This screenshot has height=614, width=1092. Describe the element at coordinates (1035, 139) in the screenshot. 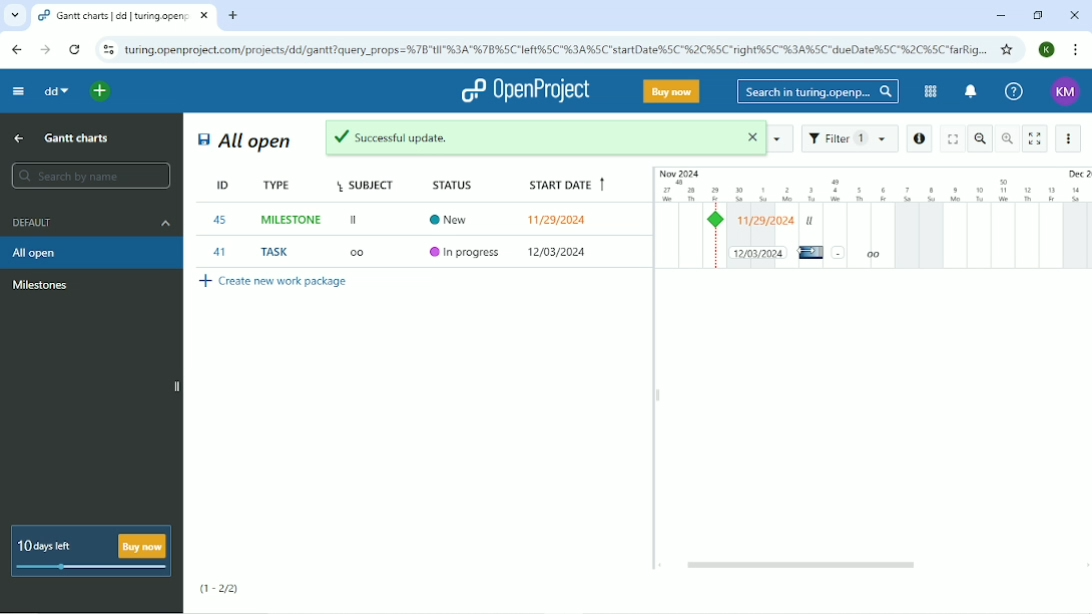

I see `Activate zen mode` at that location.